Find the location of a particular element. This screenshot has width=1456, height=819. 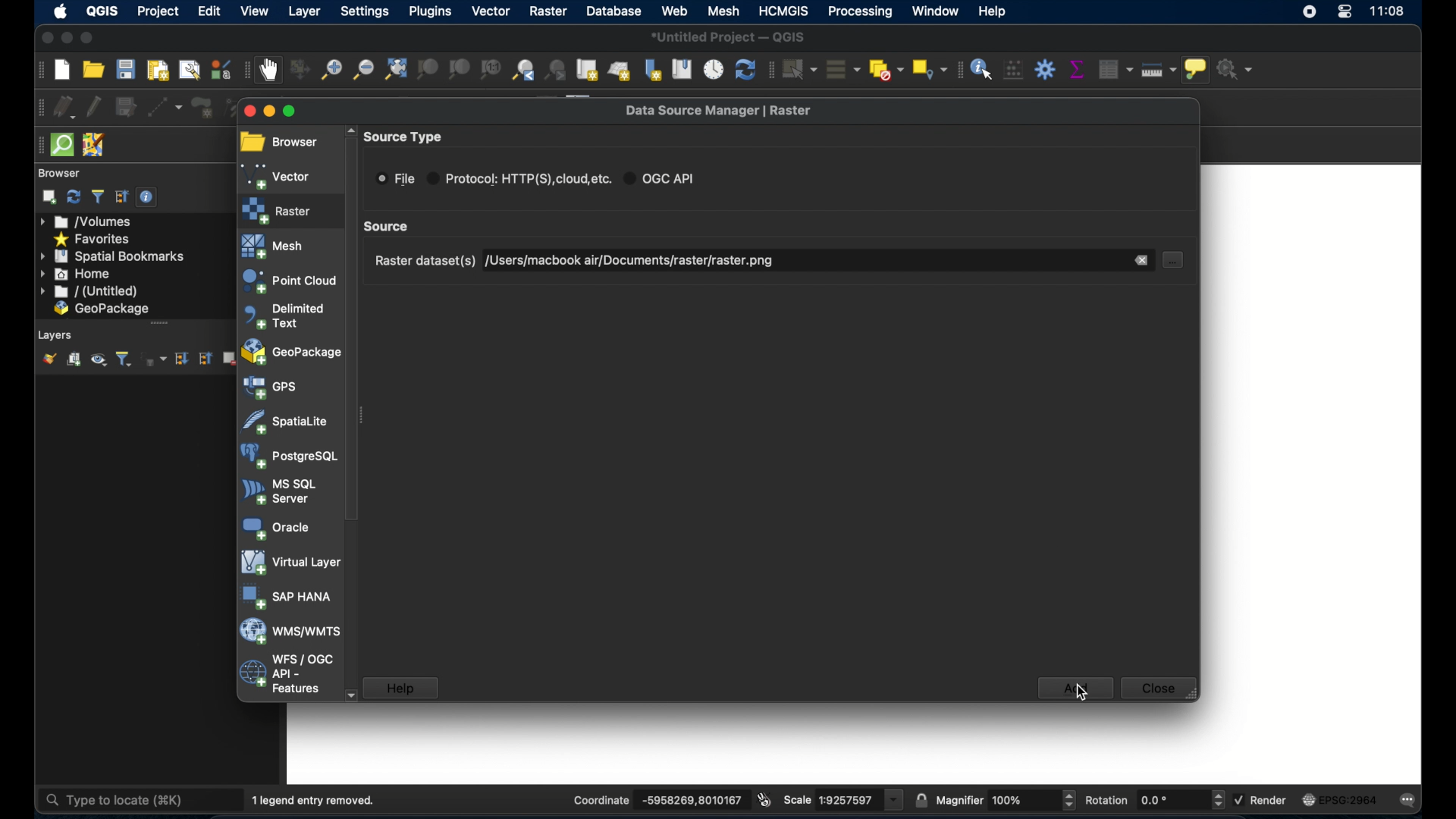

rotations is located at coordinates (1155, 800).